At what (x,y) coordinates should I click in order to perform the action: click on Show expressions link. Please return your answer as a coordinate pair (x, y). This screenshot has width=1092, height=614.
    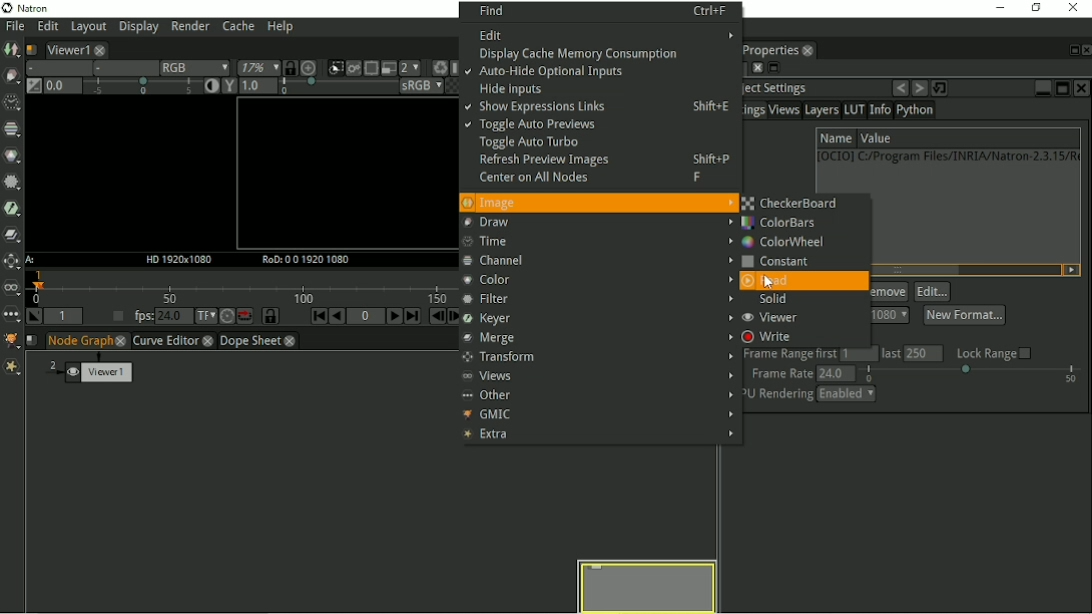
    Looking at the image, I should click on (601, 109).